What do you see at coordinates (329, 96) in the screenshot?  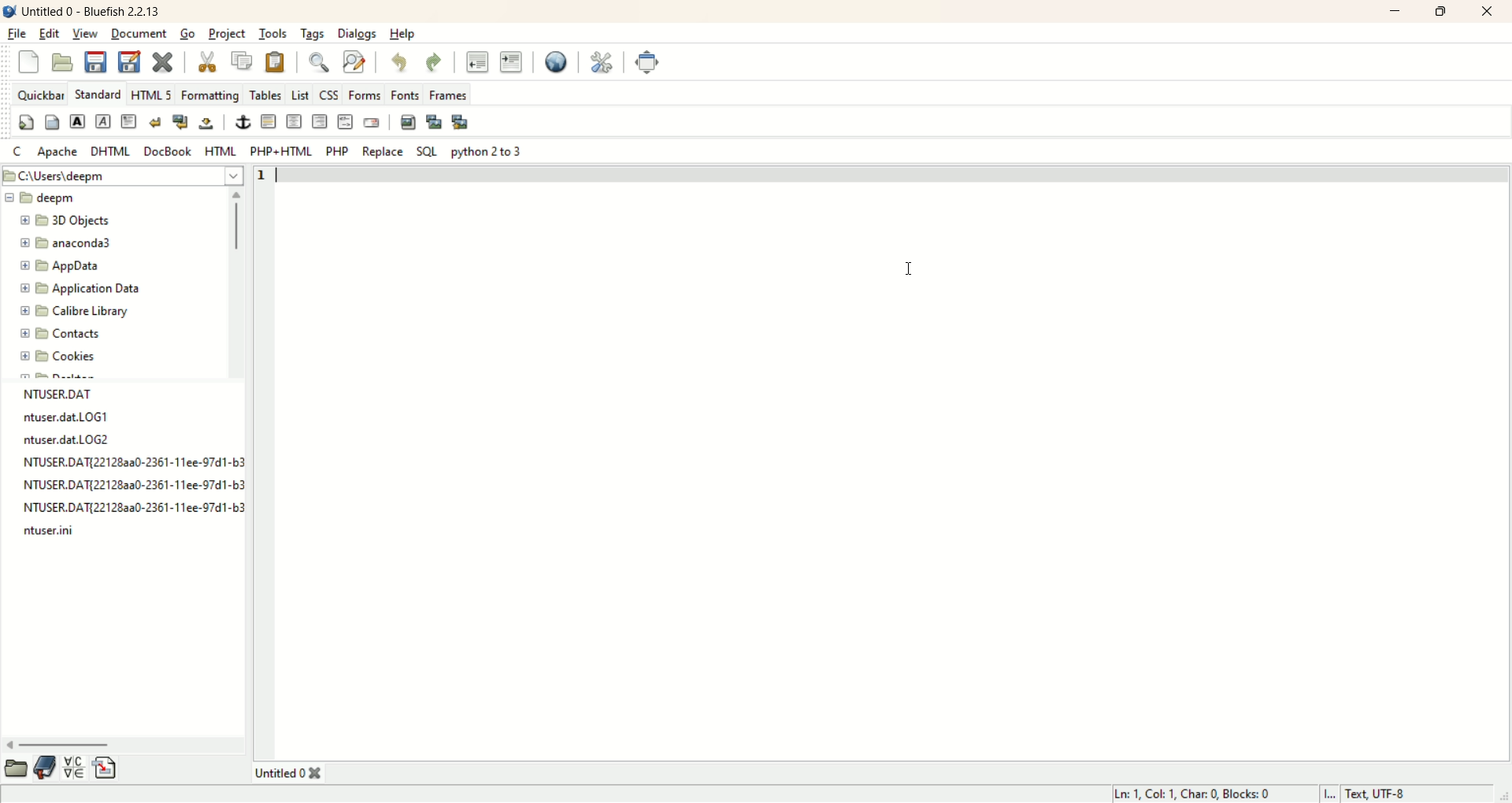 I see `CSS` at bounding box center [329, 96].